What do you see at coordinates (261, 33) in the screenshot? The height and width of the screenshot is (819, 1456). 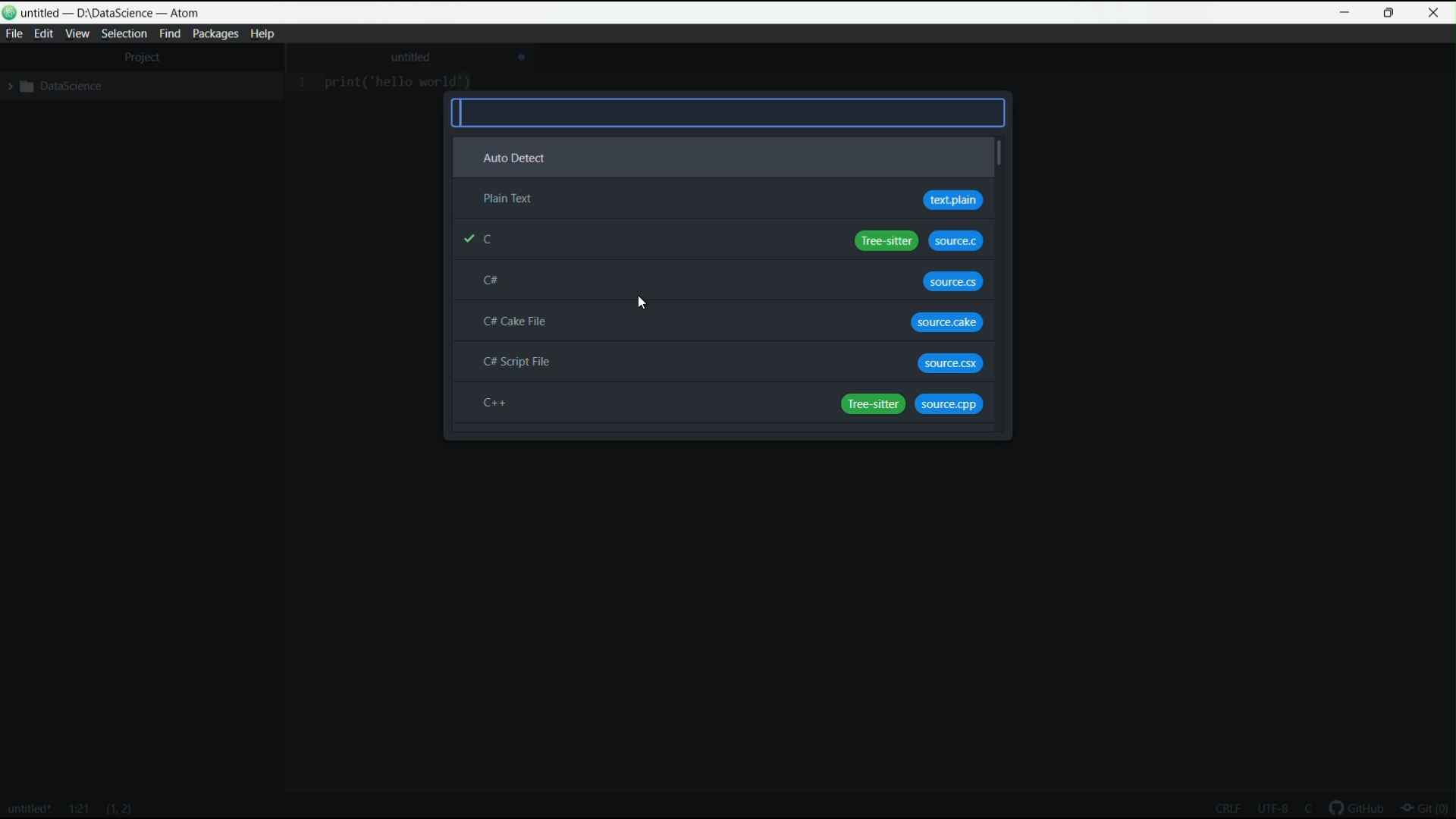 I see `help menu` at bounding box center [261, 33].